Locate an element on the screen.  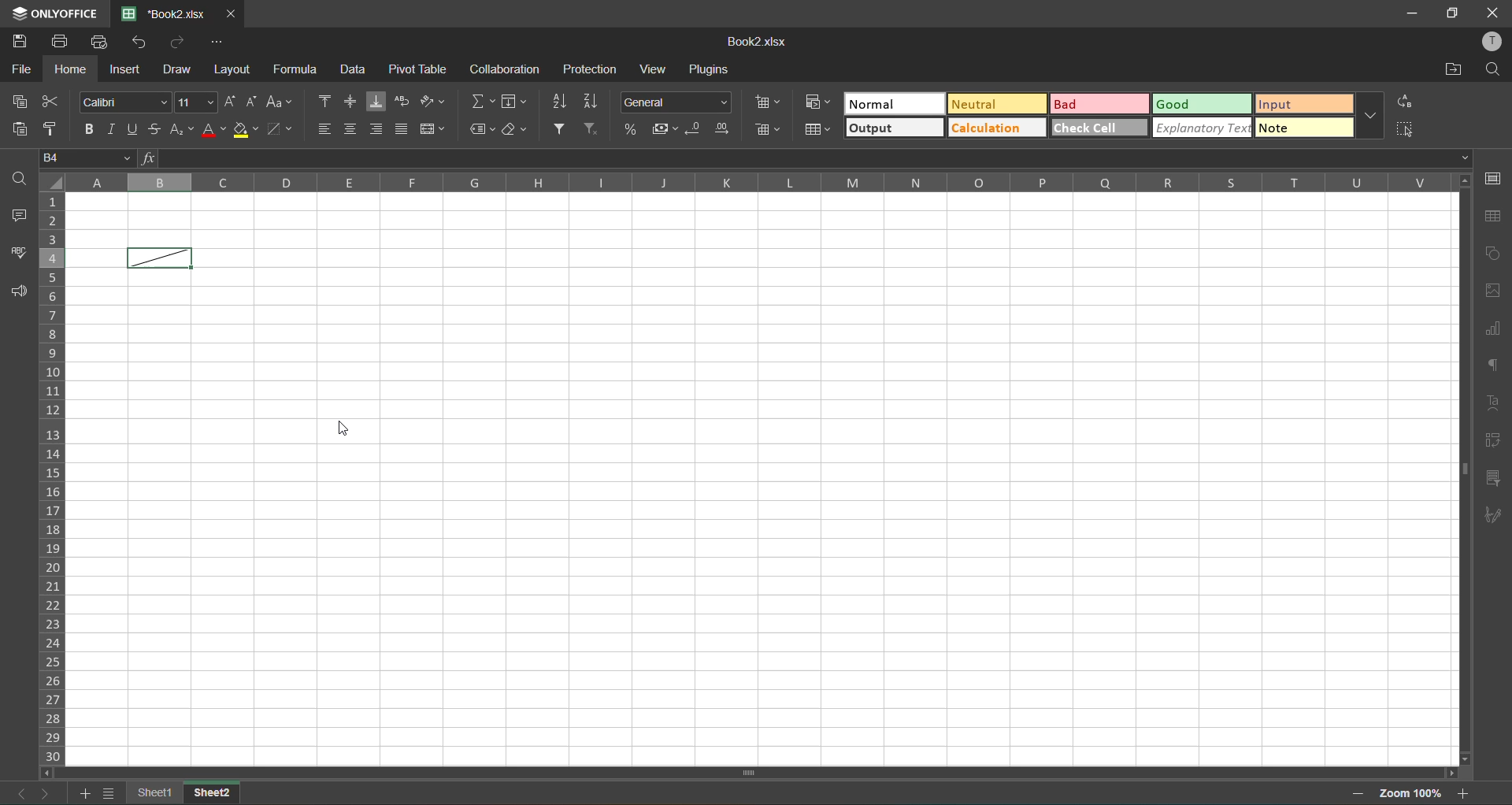
filter is located at coordinates (558, 128).